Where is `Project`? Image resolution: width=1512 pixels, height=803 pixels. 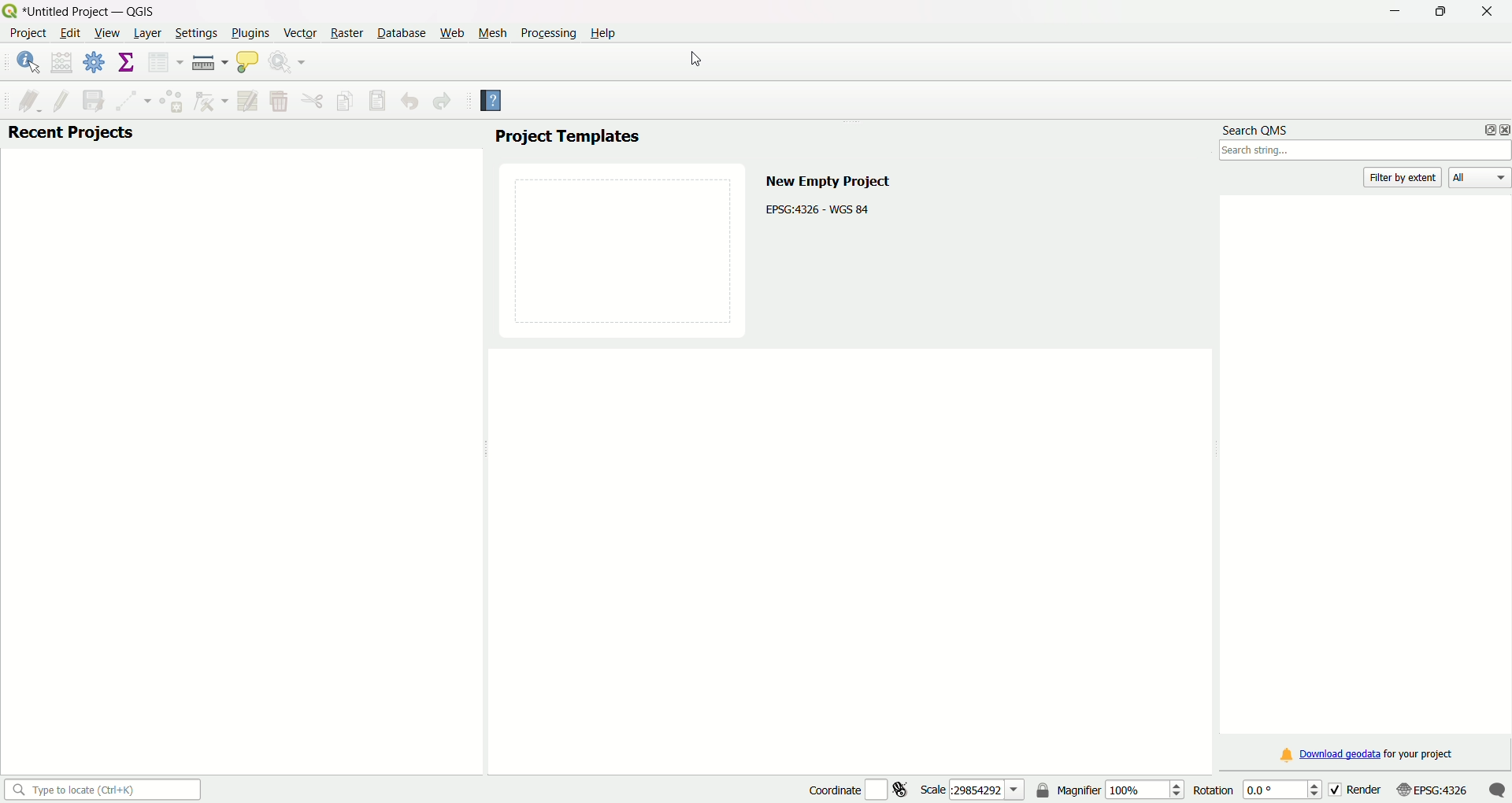
Project is located at coordinates (28, 35).